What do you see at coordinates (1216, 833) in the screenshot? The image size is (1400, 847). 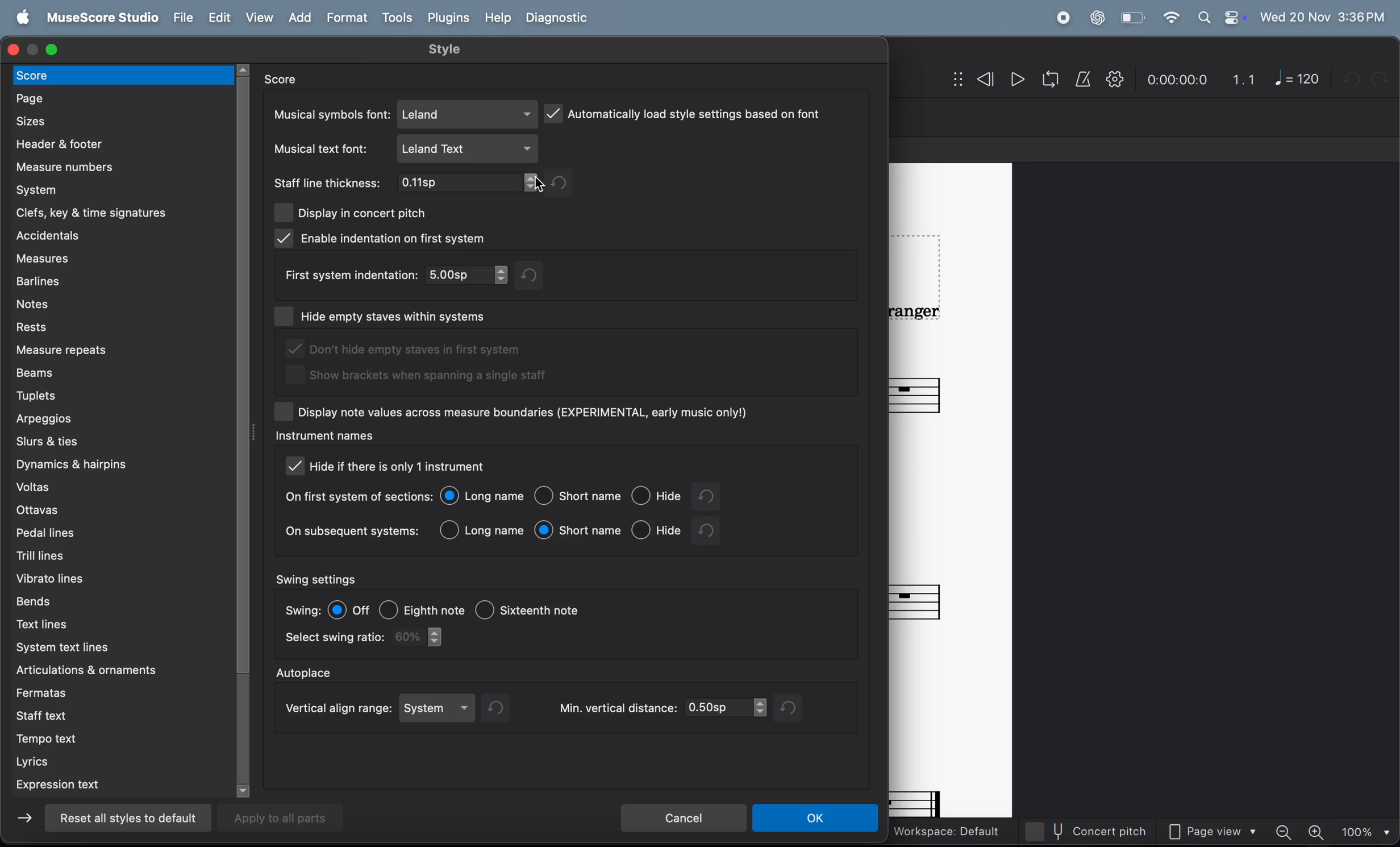 I see `page view` at bounding box center [1216, 833].